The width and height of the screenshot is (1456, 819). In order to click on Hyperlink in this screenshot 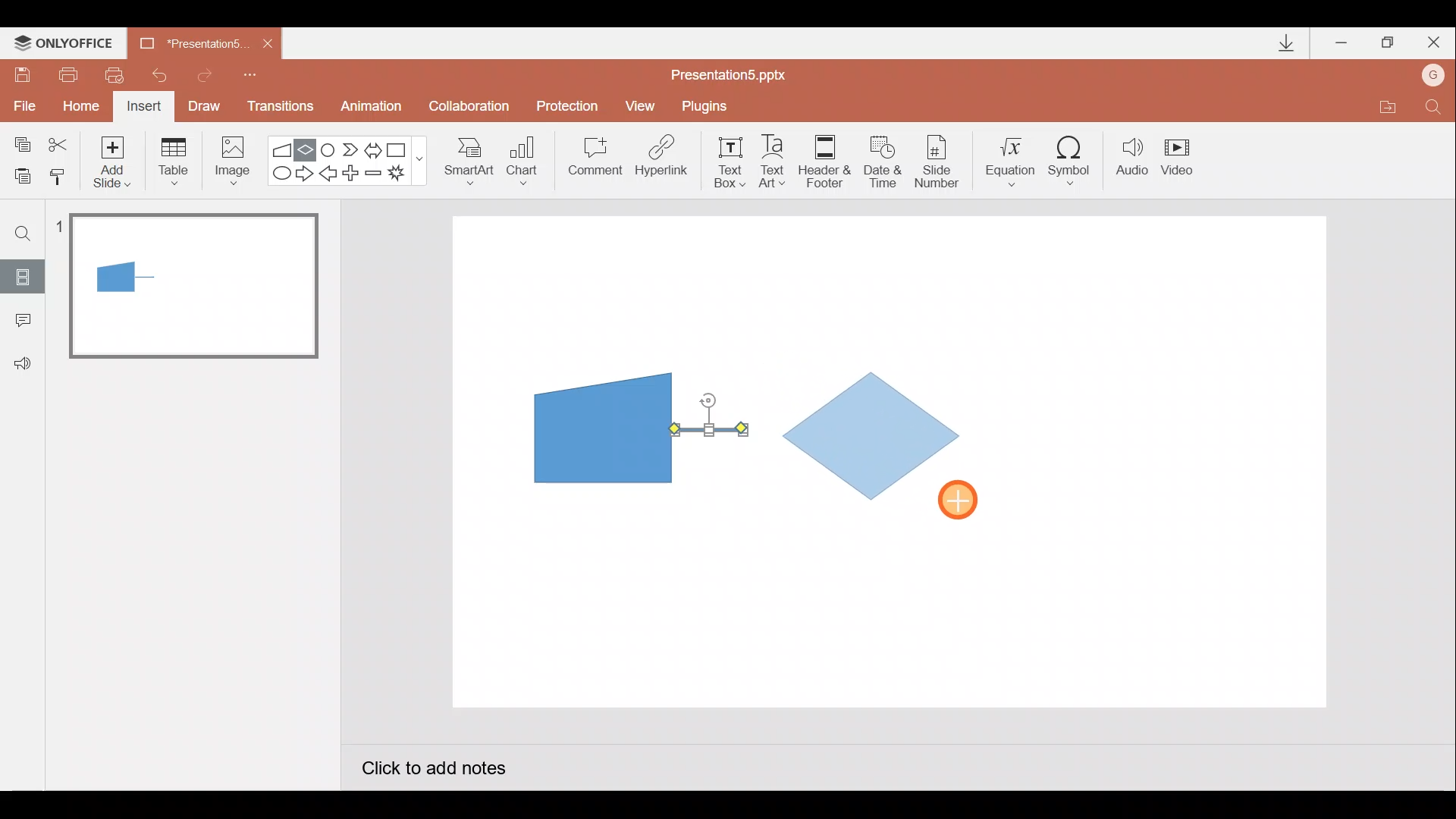, I will do `click(663, 161)`.